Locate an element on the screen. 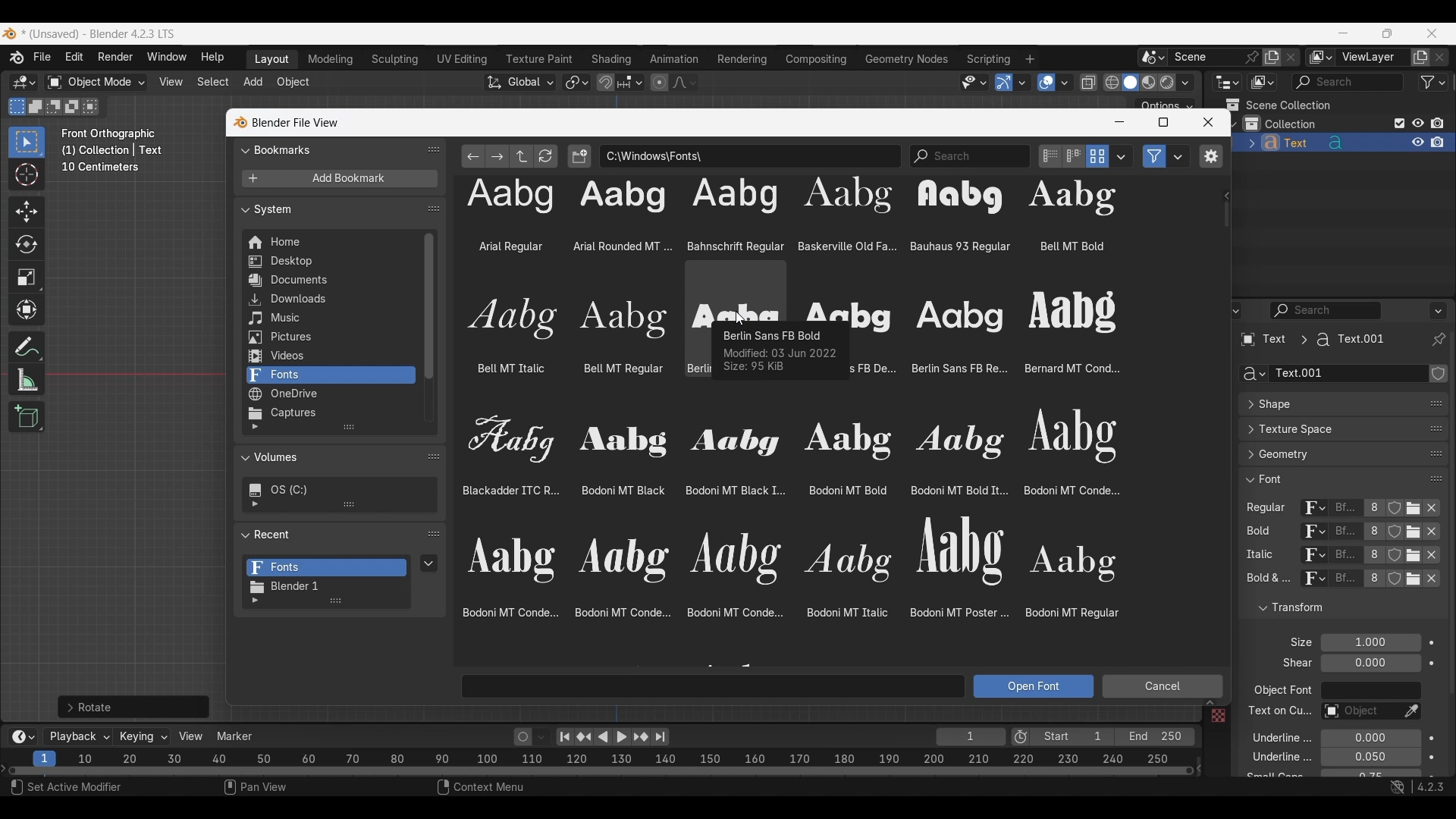 The image size is (1456, 819). Filter settings is located at coordinates (1178, 156).